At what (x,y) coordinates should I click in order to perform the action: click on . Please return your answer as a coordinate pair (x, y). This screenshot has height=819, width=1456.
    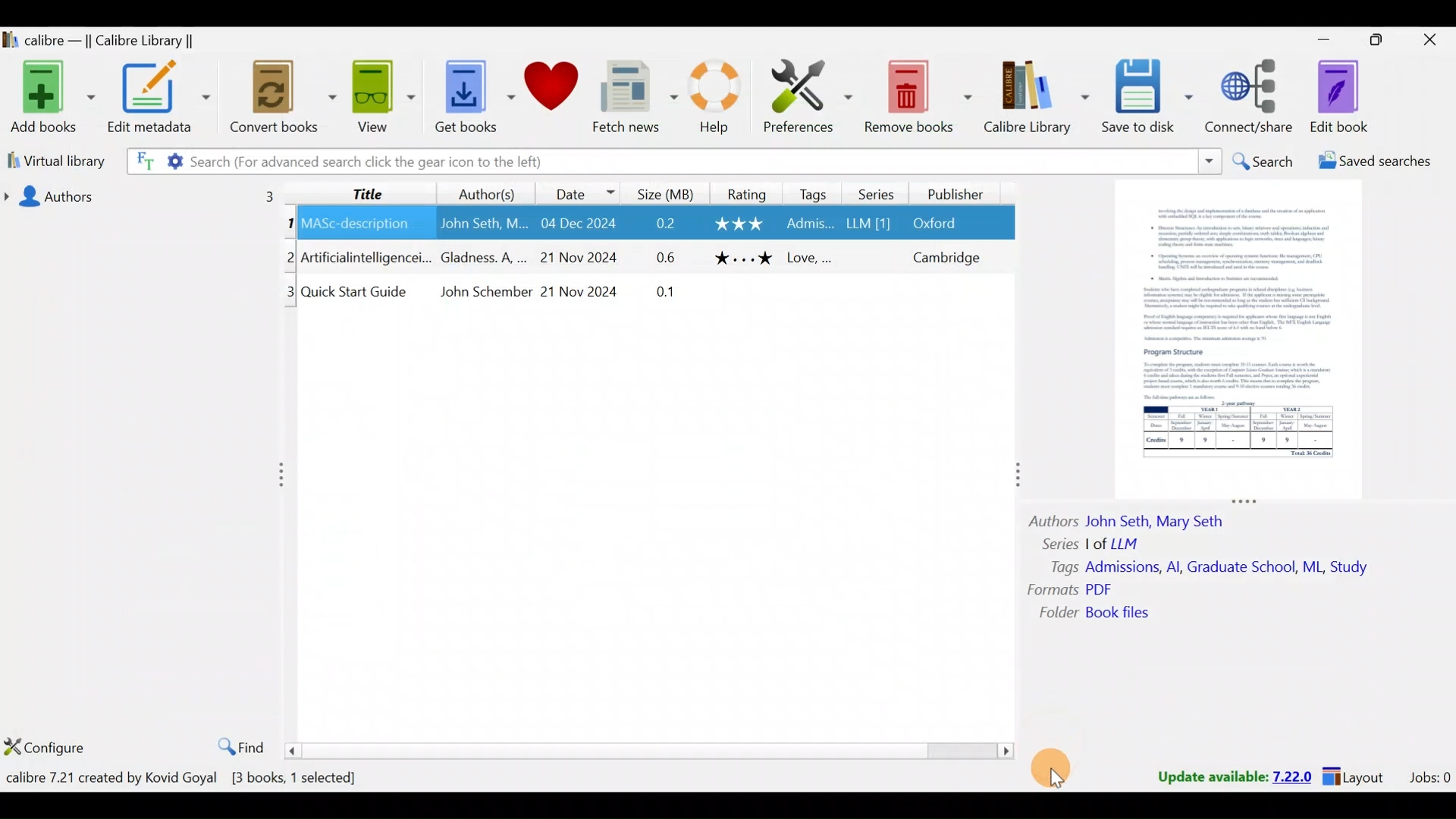
    Looking at the image, I should click on (812, 257).